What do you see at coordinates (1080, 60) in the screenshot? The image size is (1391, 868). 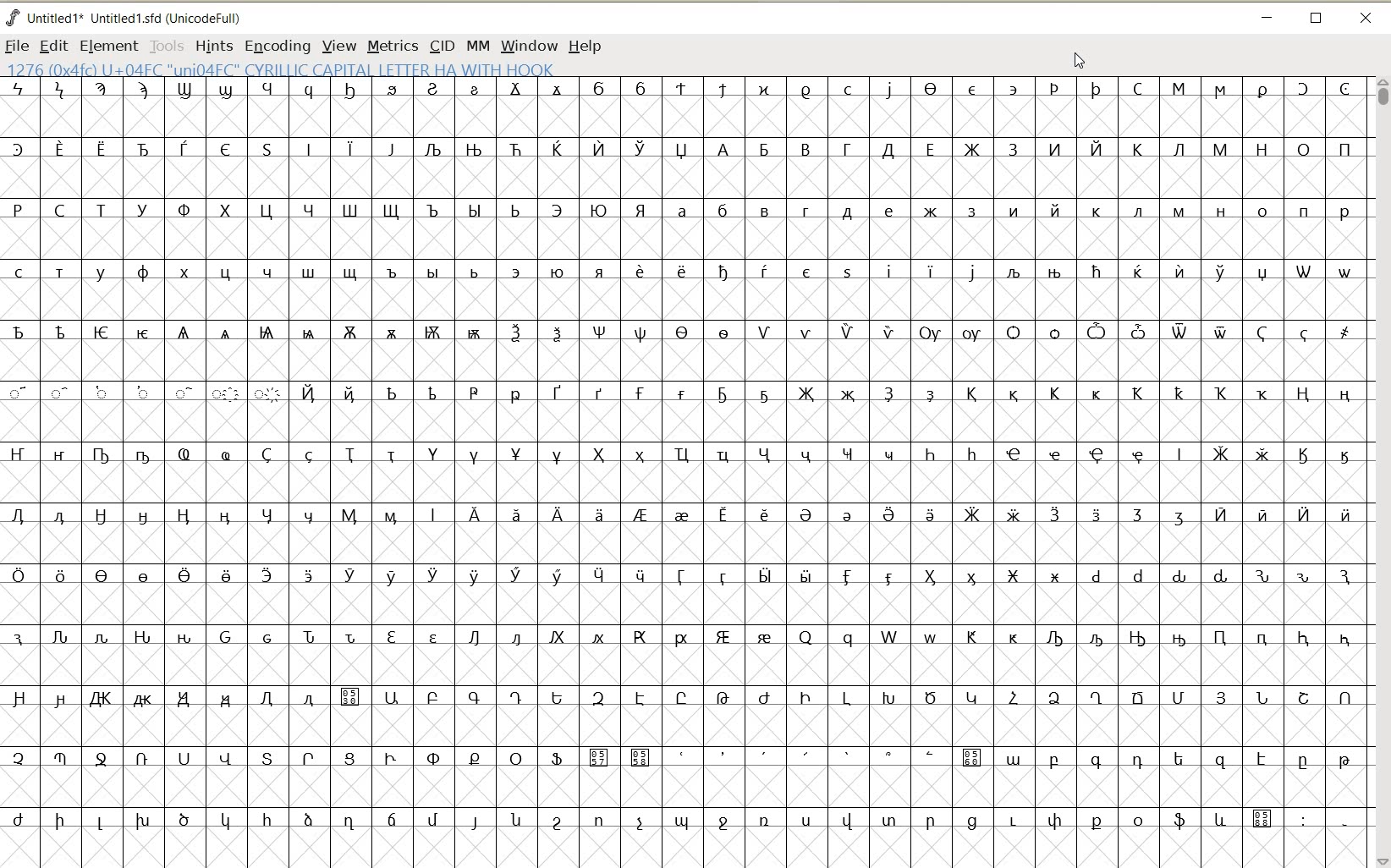 I see `CURSOR` at bounding box center [1080, 60].